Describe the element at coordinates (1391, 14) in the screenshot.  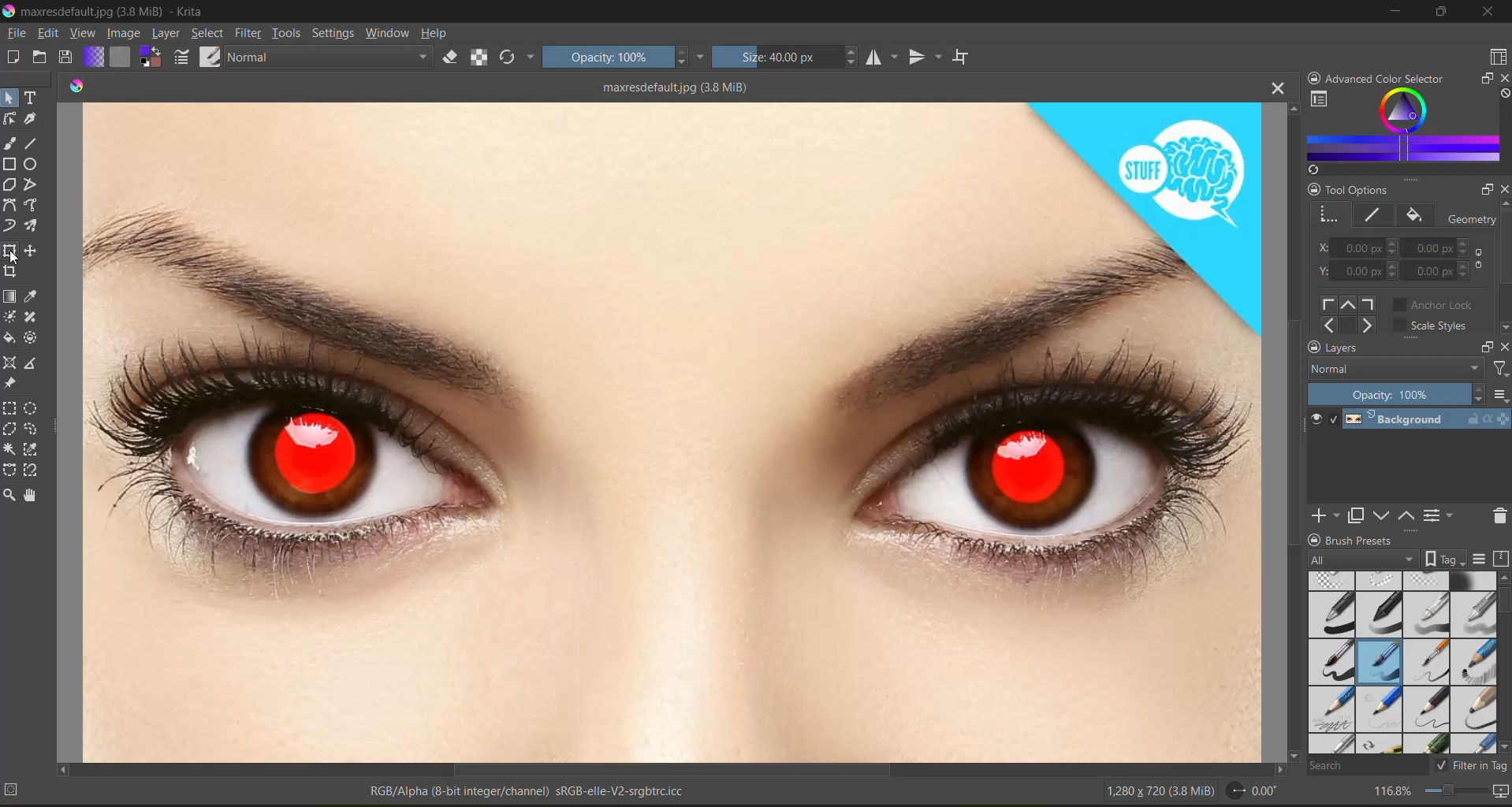
I see `minimize` at that location.